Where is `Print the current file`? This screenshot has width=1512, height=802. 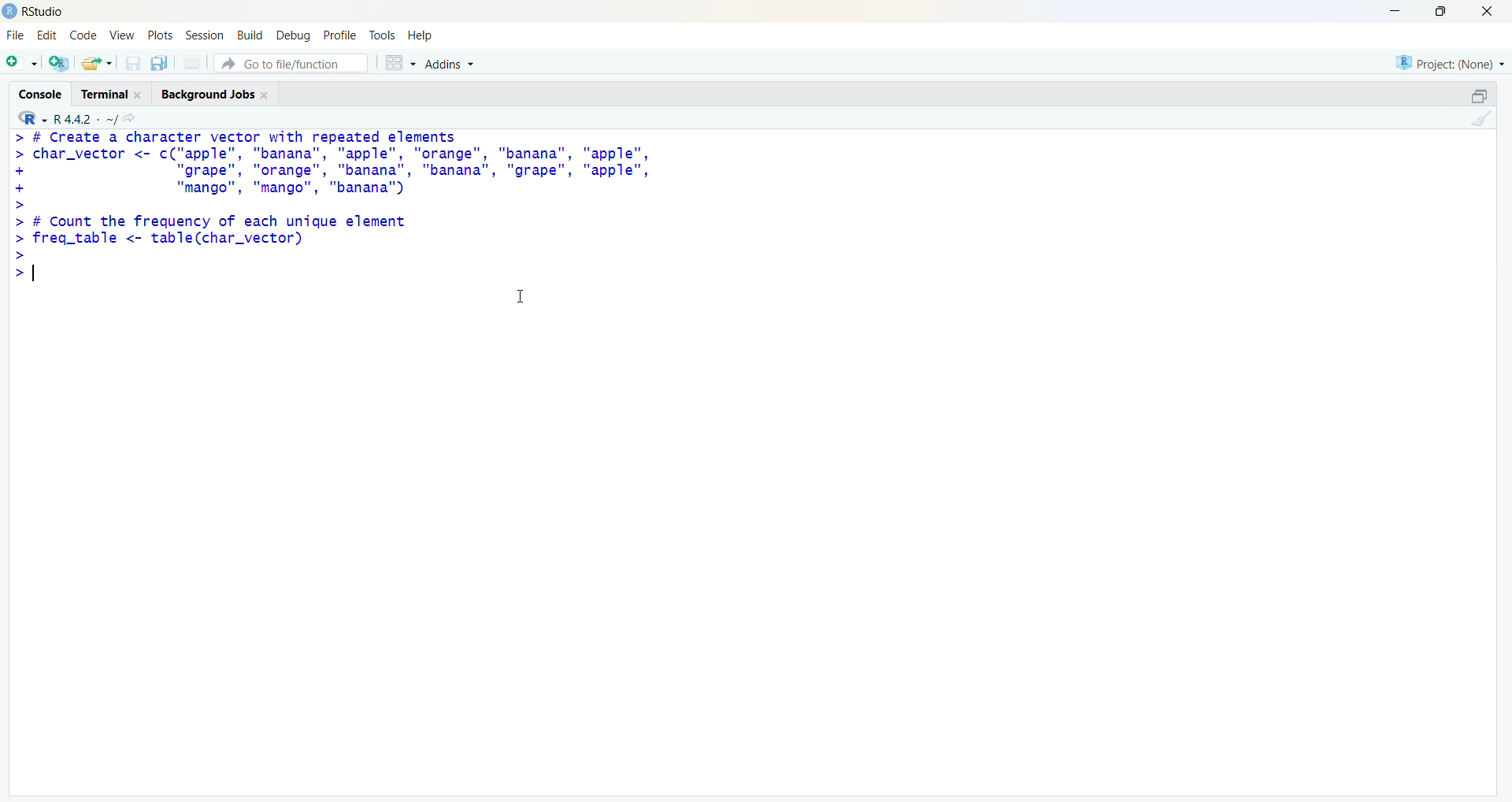 Print the current file is located at coordinates (192, 65).